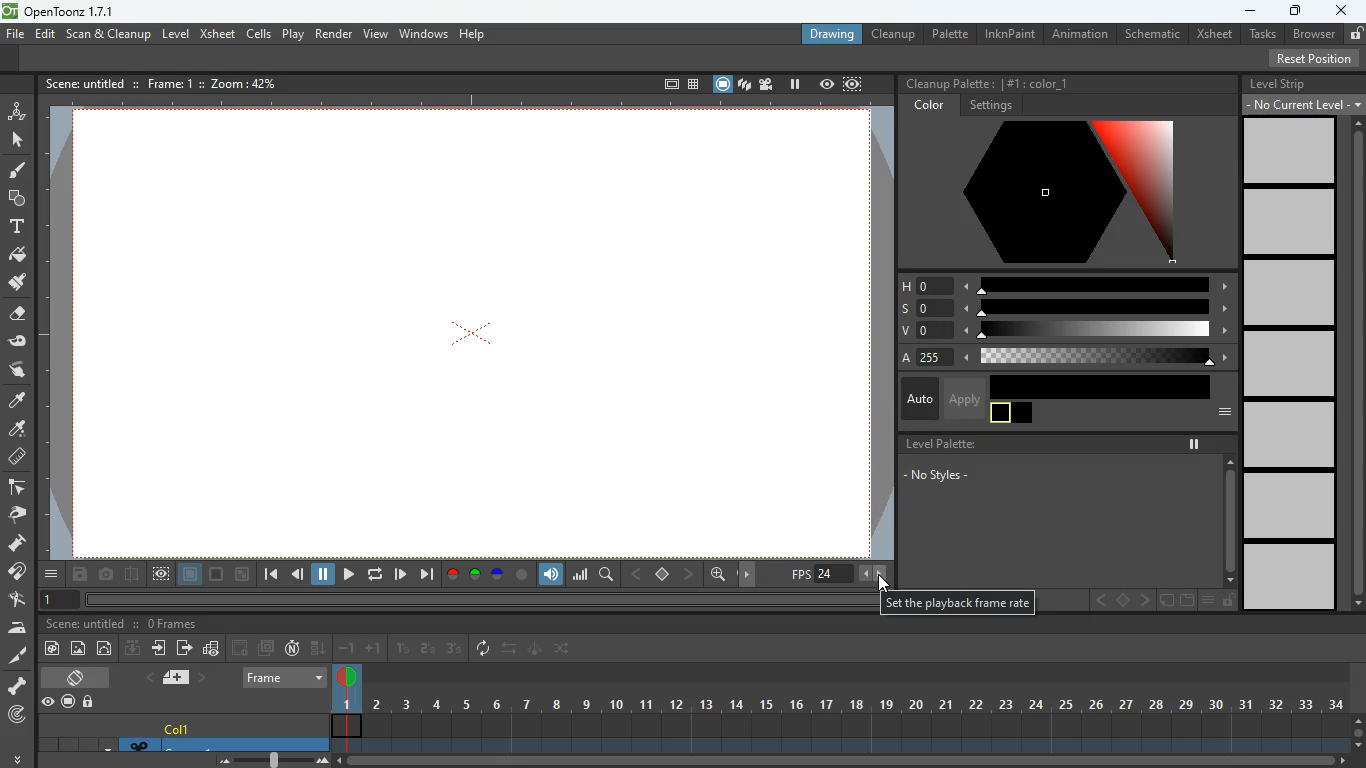 This screenshot has height=768, width=1366. What do you see at coordinates (14, 458) in the screenshot?
I see `measure` at bounding box center [14, 458].